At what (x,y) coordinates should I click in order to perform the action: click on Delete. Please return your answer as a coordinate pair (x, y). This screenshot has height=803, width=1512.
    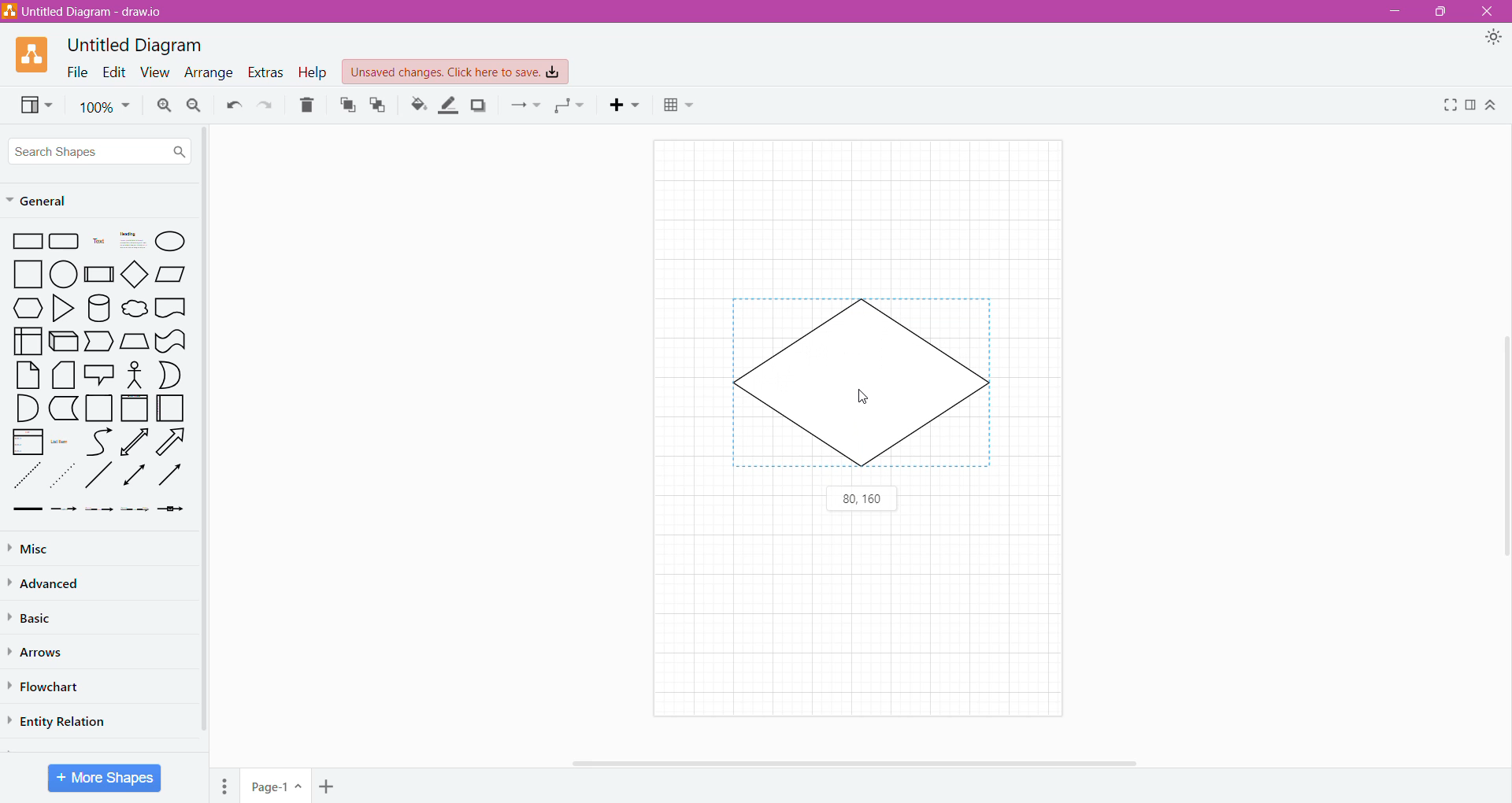
    Looking at the image, I should click on (308, 105).